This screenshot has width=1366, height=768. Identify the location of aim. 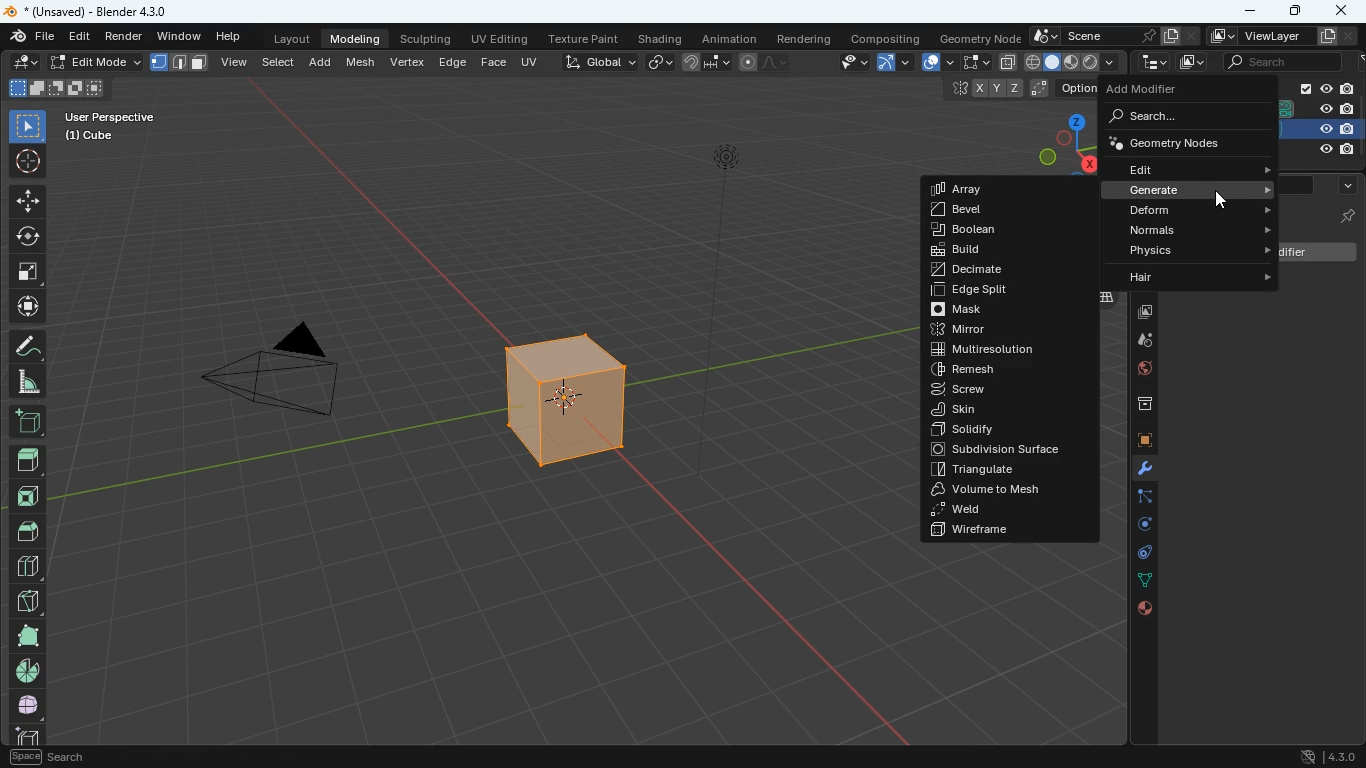
(26, 161).